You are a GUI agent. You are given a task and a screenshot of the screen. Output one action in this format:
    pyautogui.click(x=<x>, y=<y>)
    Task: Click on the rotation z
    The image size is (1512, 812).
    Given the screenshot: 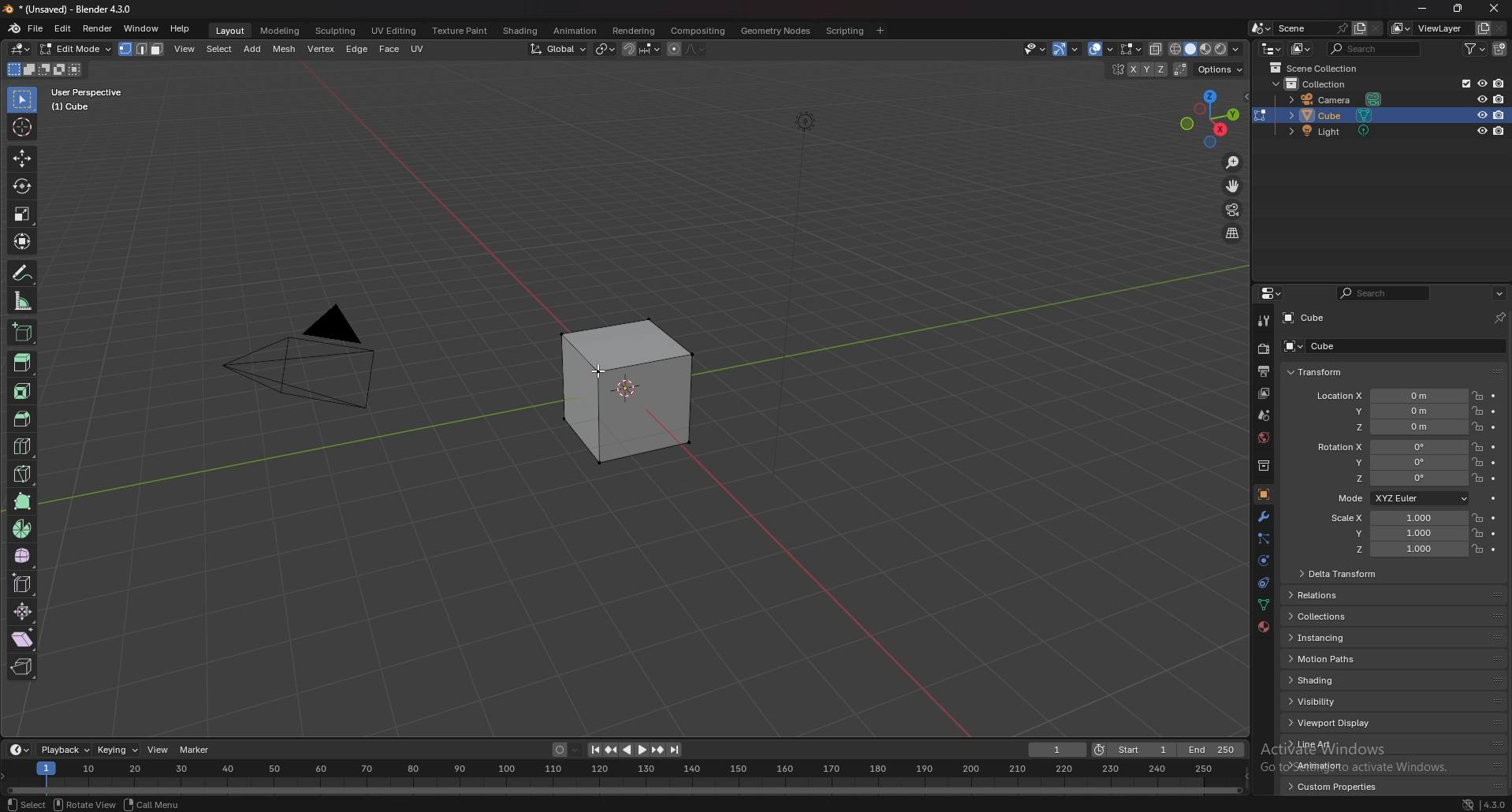 What is the action you would take?
    pyautogui.click(x=1389, y=478)
    